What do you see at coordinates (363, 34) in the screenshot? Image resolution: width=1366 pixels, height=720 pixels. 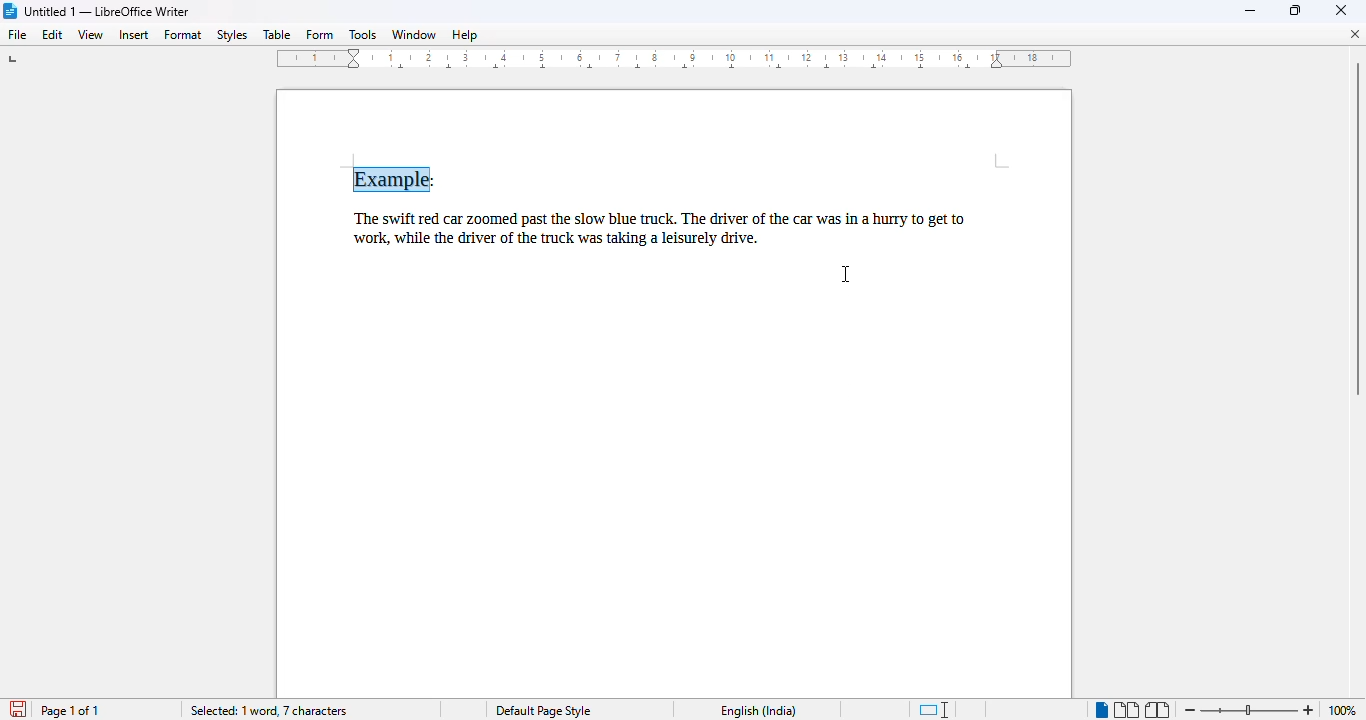 I see `tools` at bounding box center [363, 34].